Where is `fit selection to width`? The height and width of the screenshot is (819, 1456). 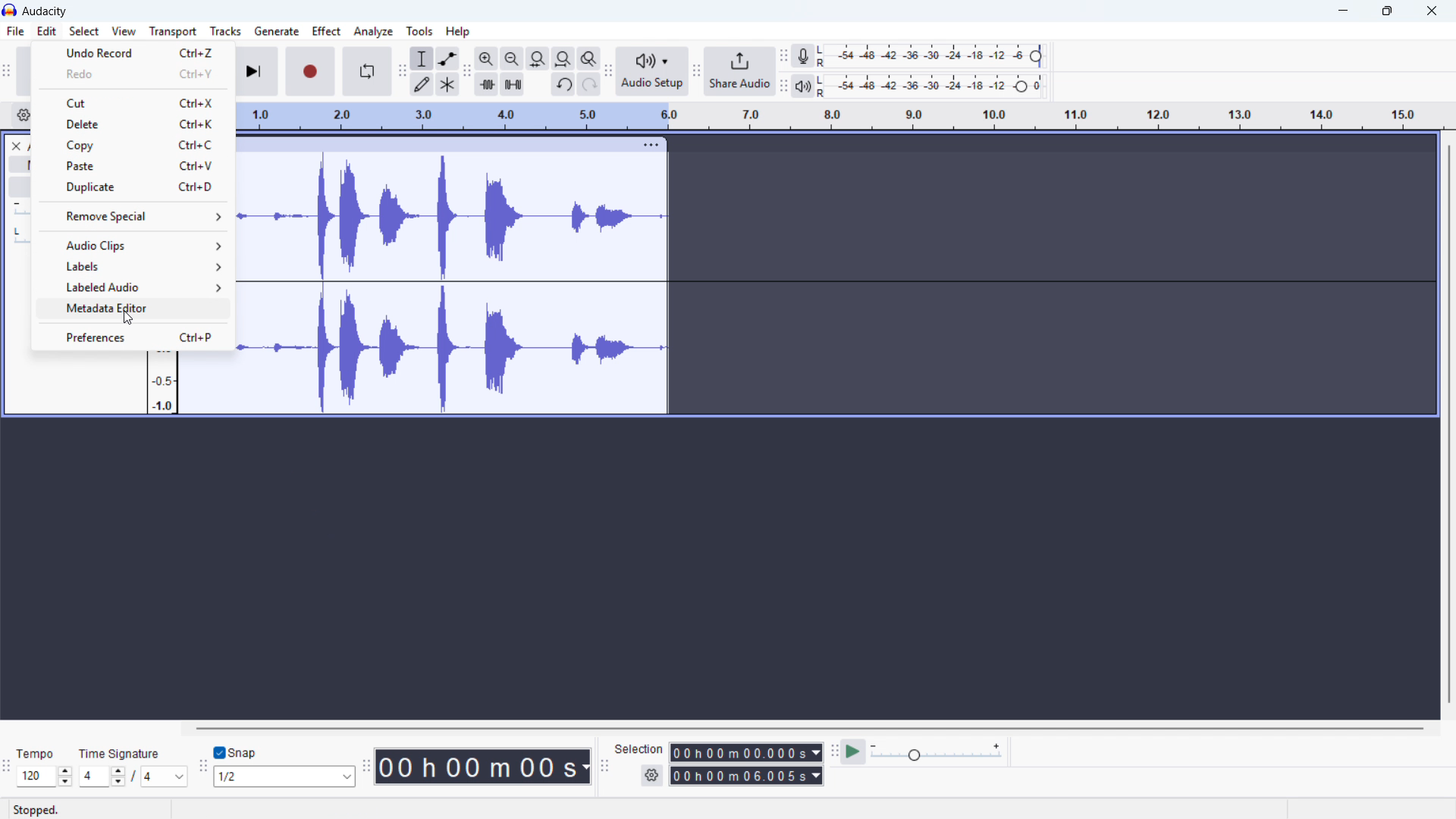
fit selection to width is located at coordinates (538, 58).